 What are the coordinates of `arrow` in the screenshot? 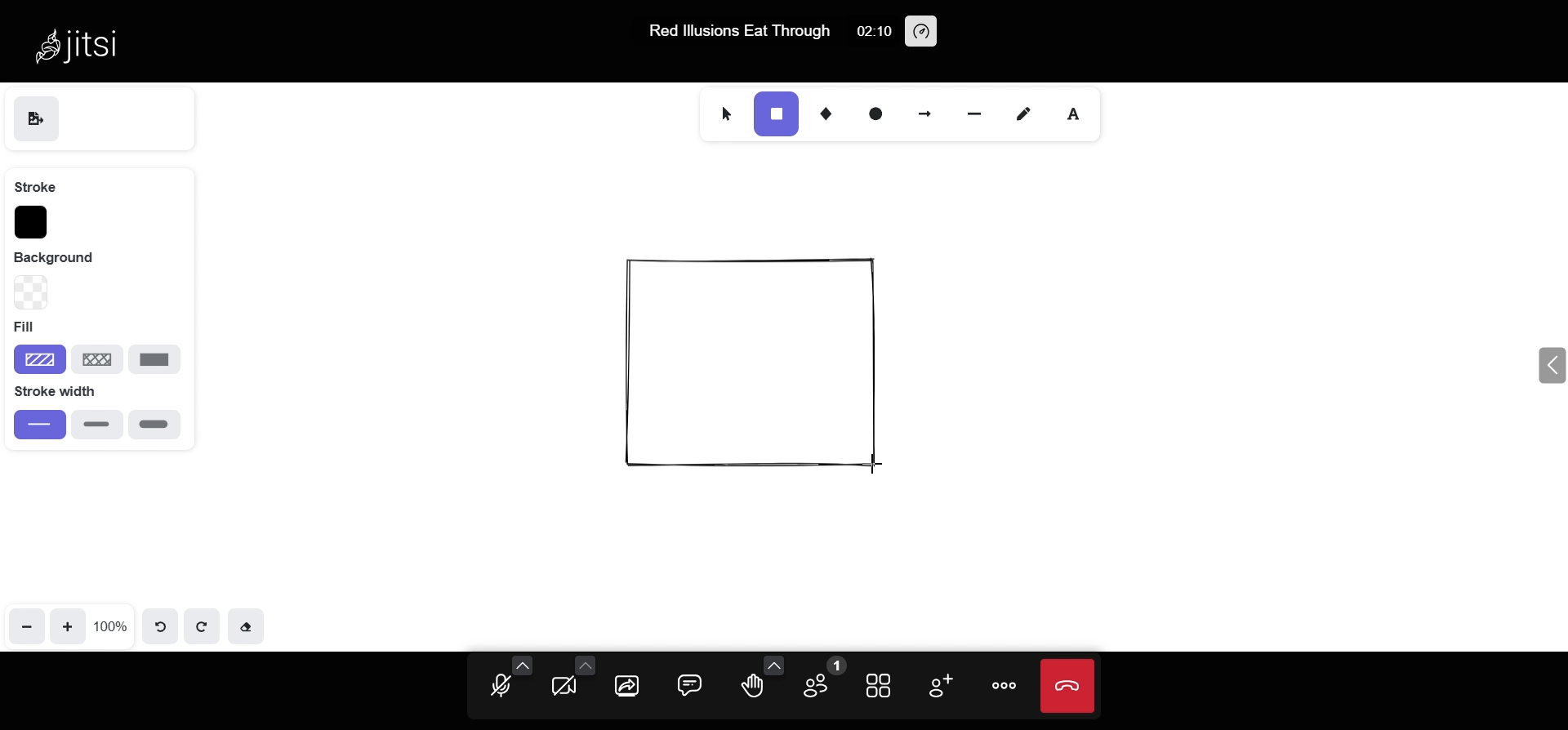 It's located at (922, 109).